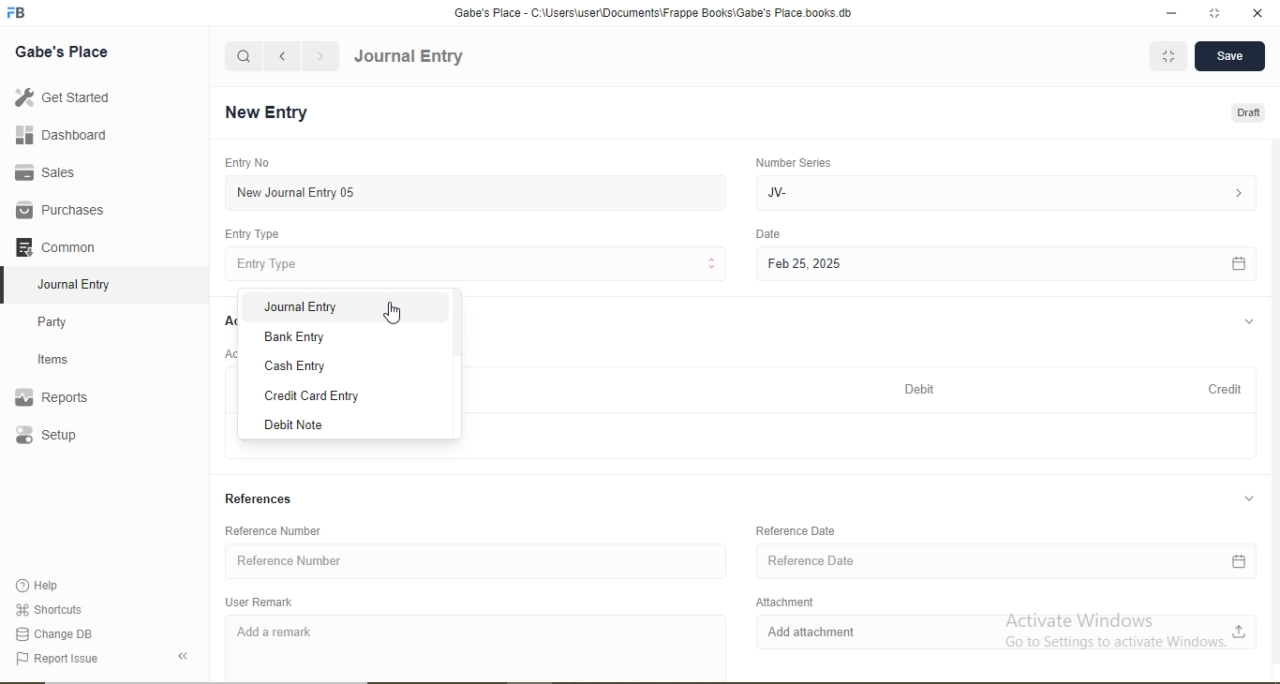 The width and height of the screenshot is (1280, 684). Describe the element at coordinates (186, 656) in the screenshot. I see `collapse sidebar` at that location.